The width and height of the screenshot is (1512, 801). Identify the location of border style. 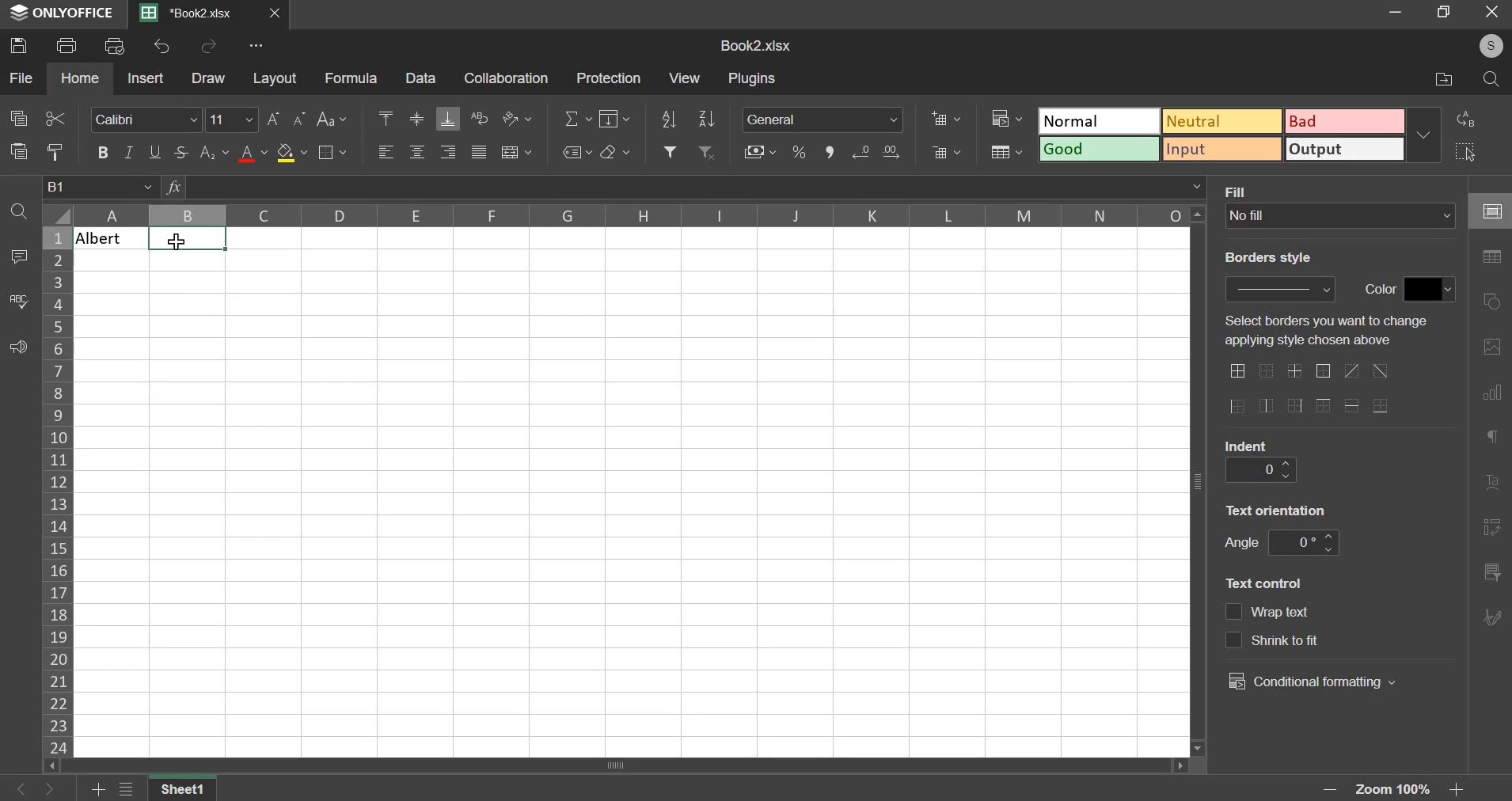
(1266, 256).